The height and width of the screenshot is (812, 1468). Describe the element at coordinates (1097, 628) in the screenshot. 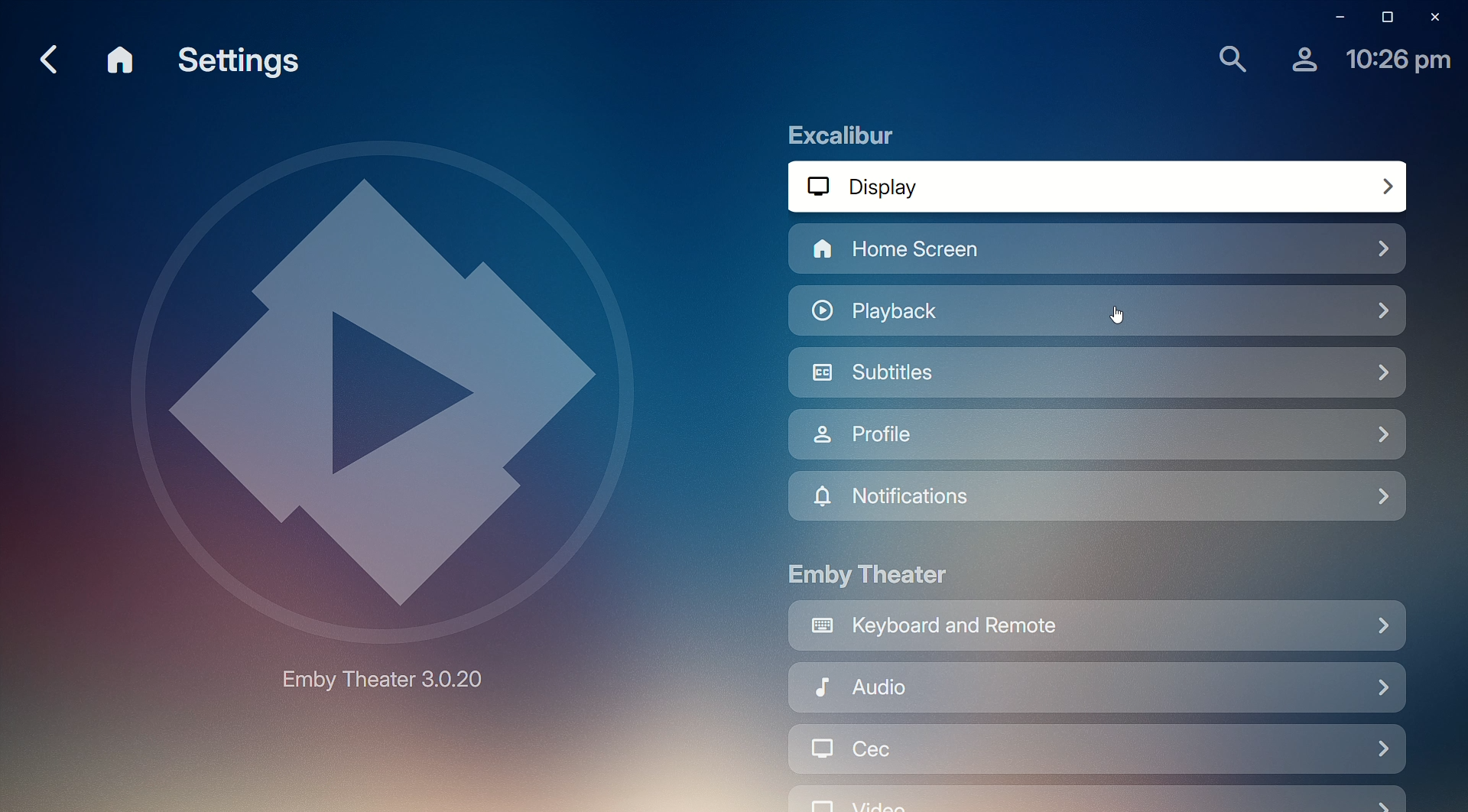

I see `Keyboard and Remote` at that location.